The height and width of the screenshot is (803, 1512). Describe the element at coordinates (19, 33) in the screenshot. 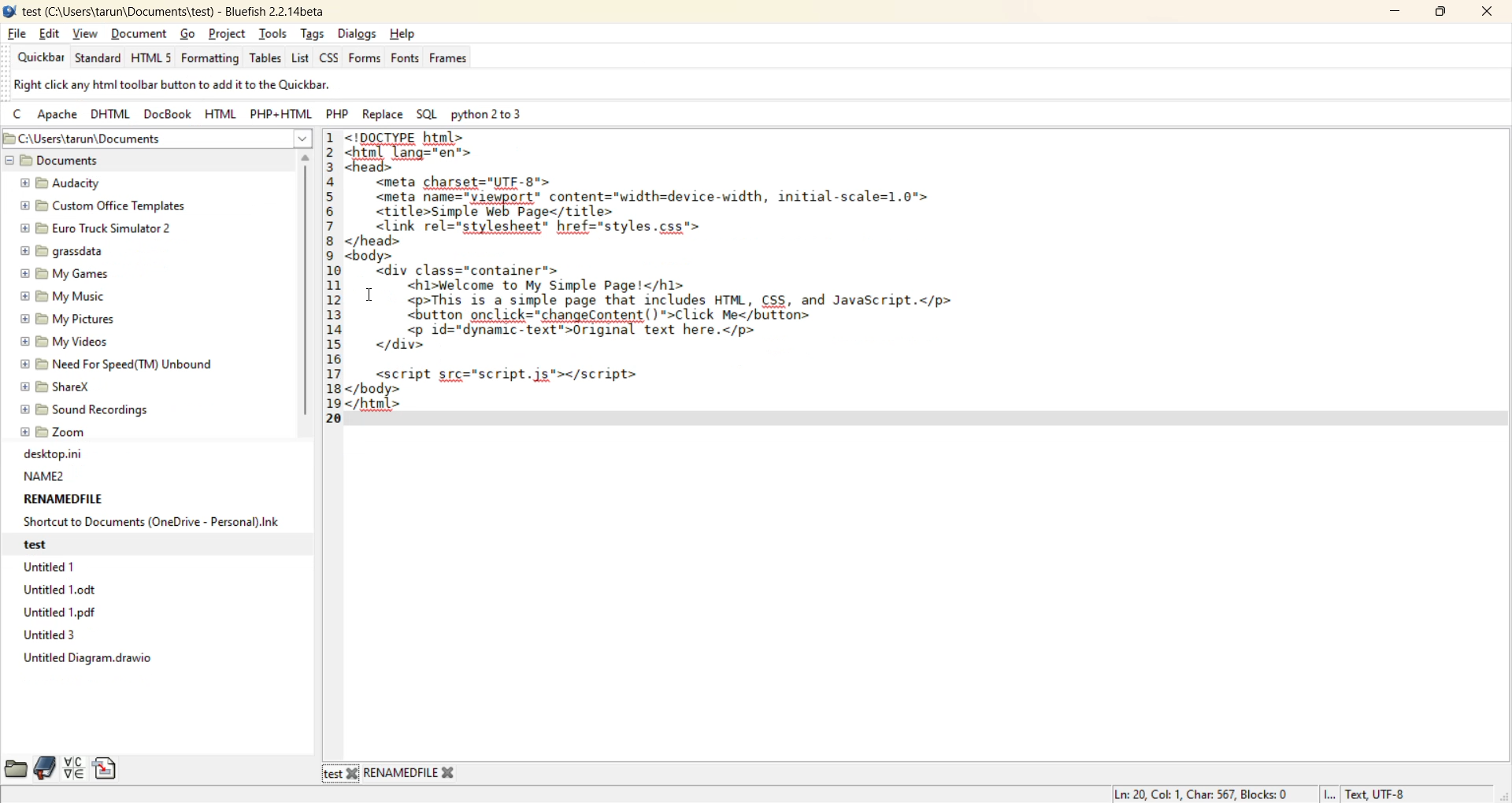

I see `file` at that location.